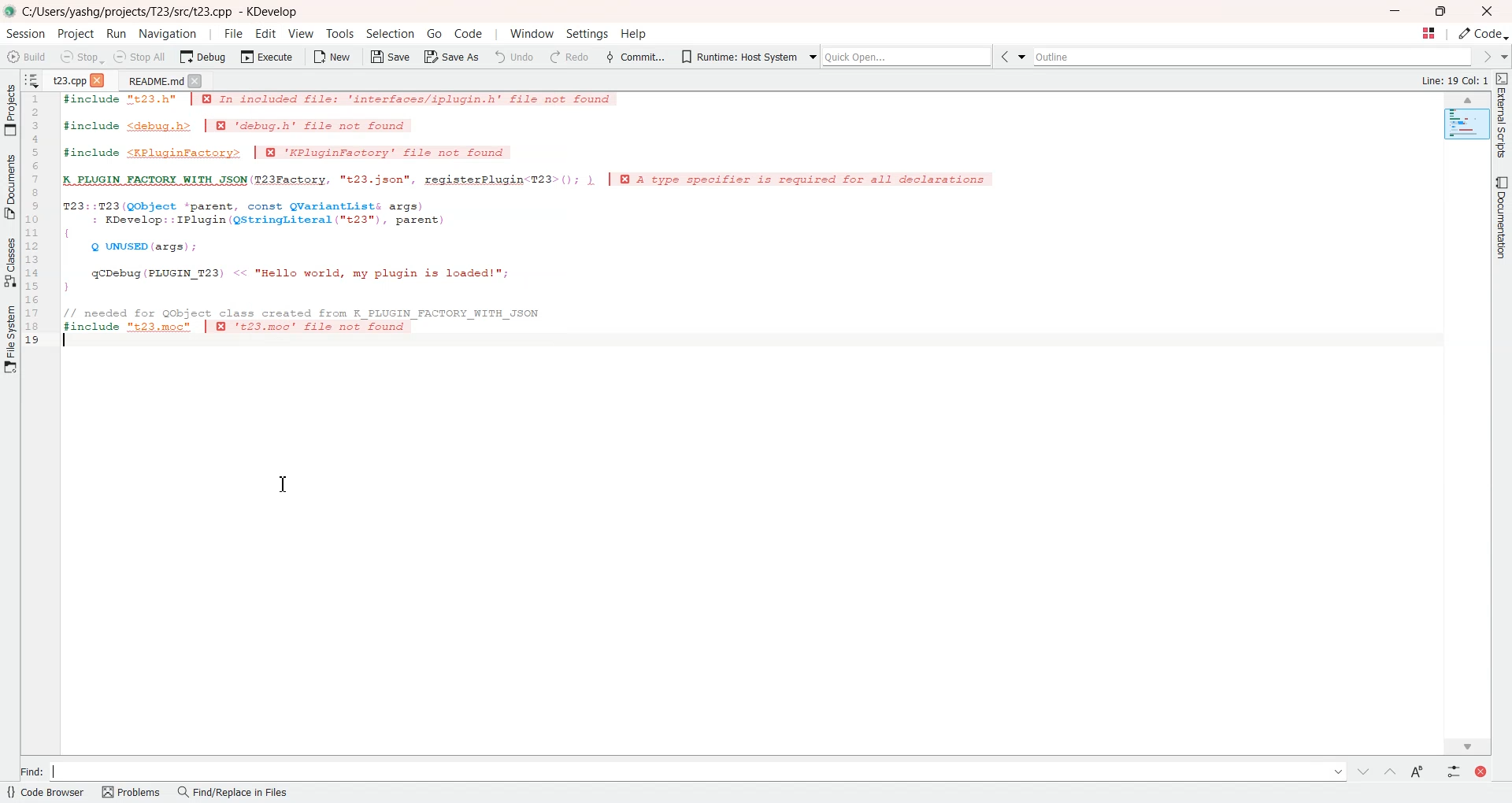  I want to click on Code Browser, so click(46, 794).